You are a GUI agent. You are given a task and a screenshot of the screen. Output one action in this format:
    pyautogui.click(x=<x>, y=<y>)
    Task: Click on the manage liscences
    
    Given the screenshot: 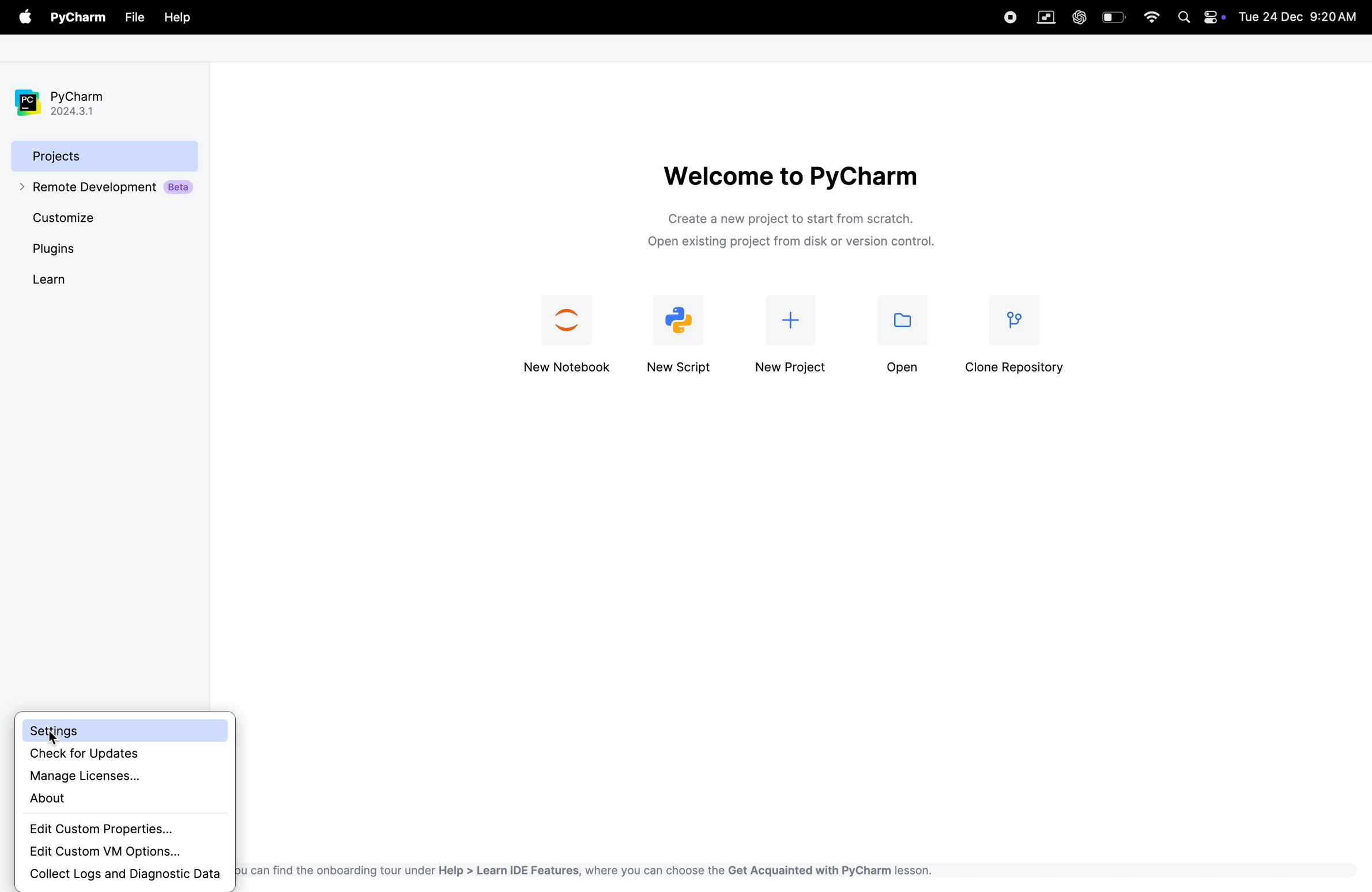 What is the action you would take?
    pyautogui.click(x=123, y=774)
    